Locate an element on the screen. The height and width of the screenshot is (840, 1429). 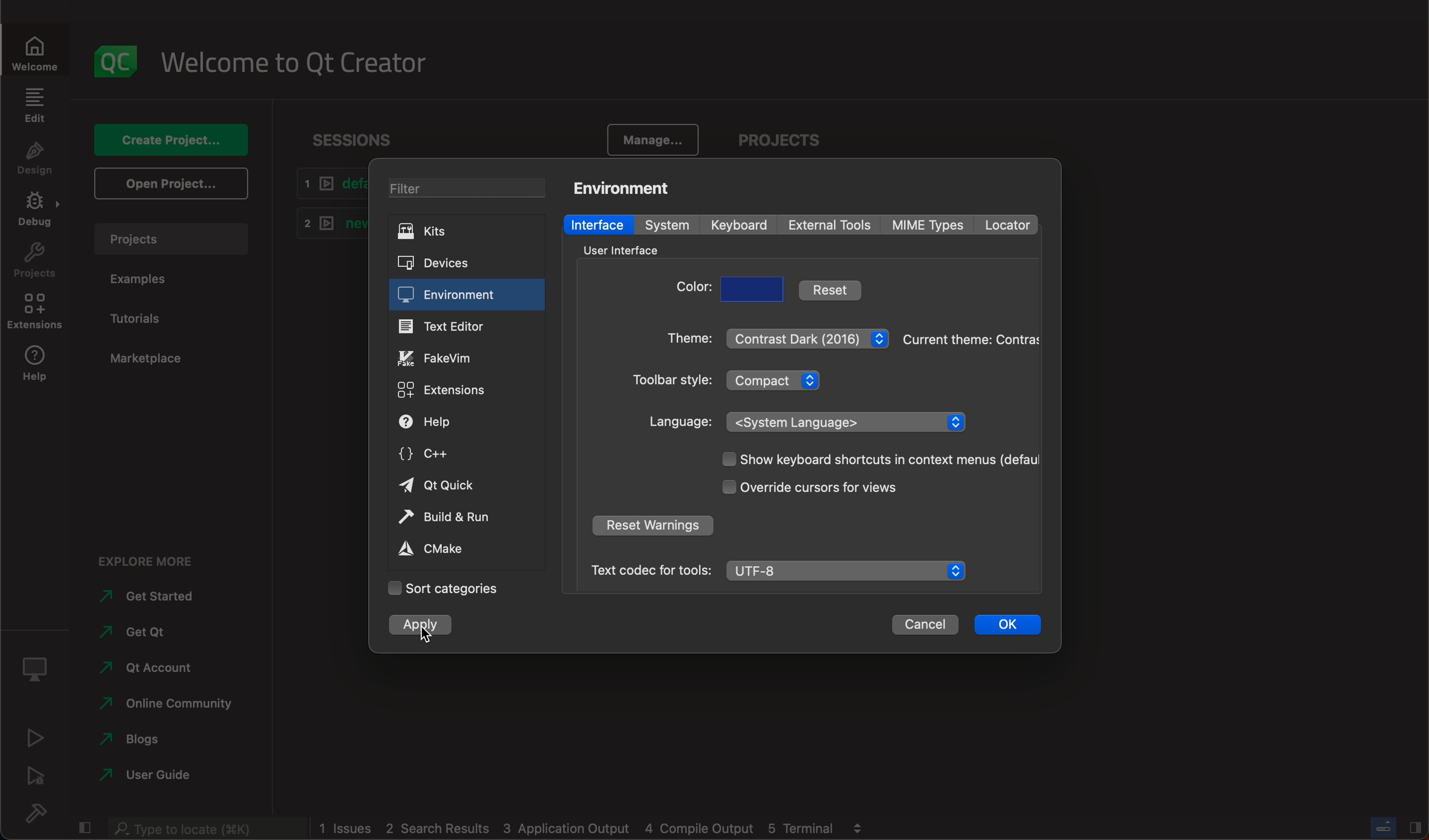
show keyboard is located at coordinates (874, 460).